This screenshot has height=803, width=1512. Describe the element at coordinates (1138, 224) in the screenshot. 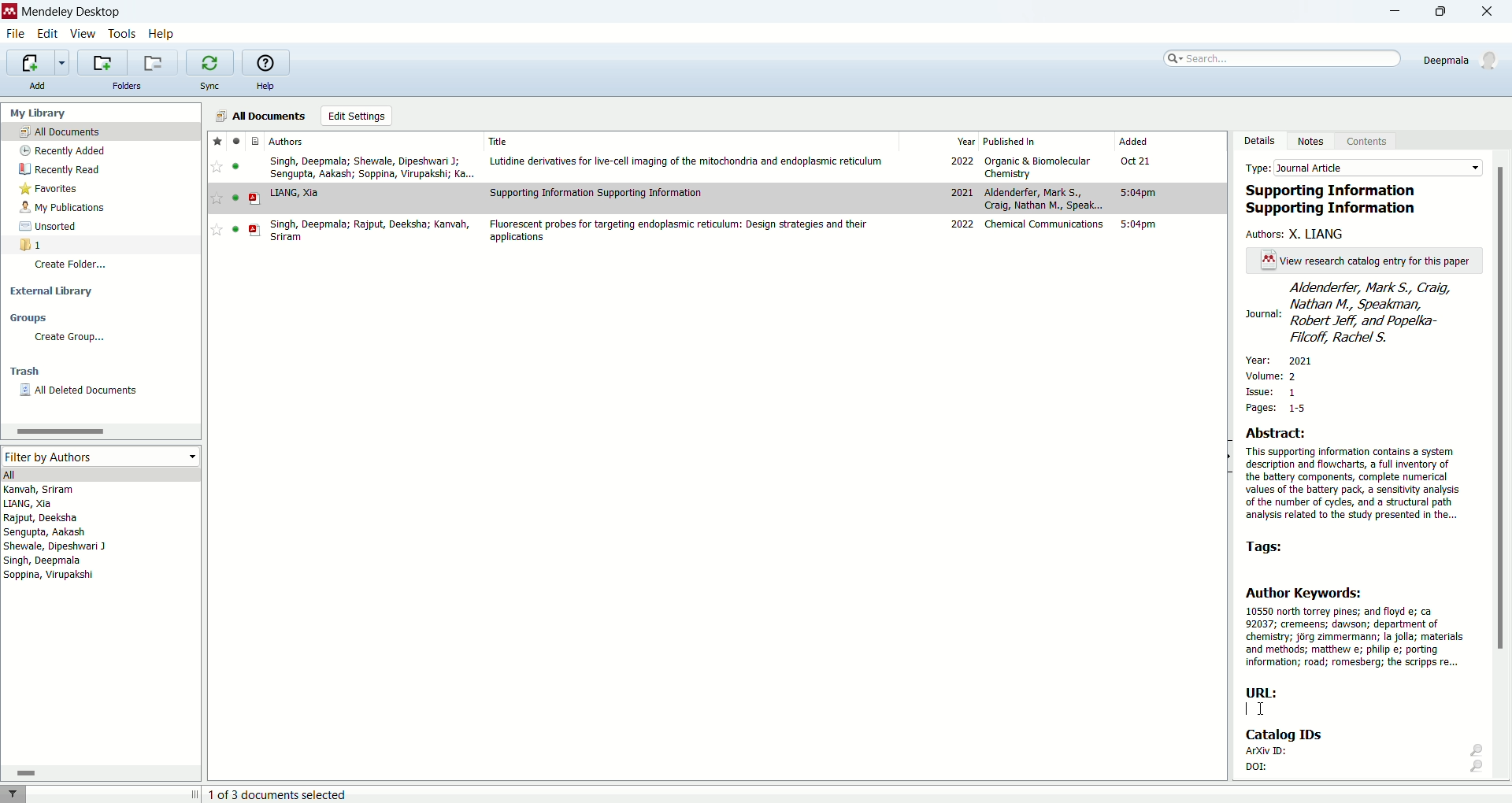

I see `5:04pm` at that location.